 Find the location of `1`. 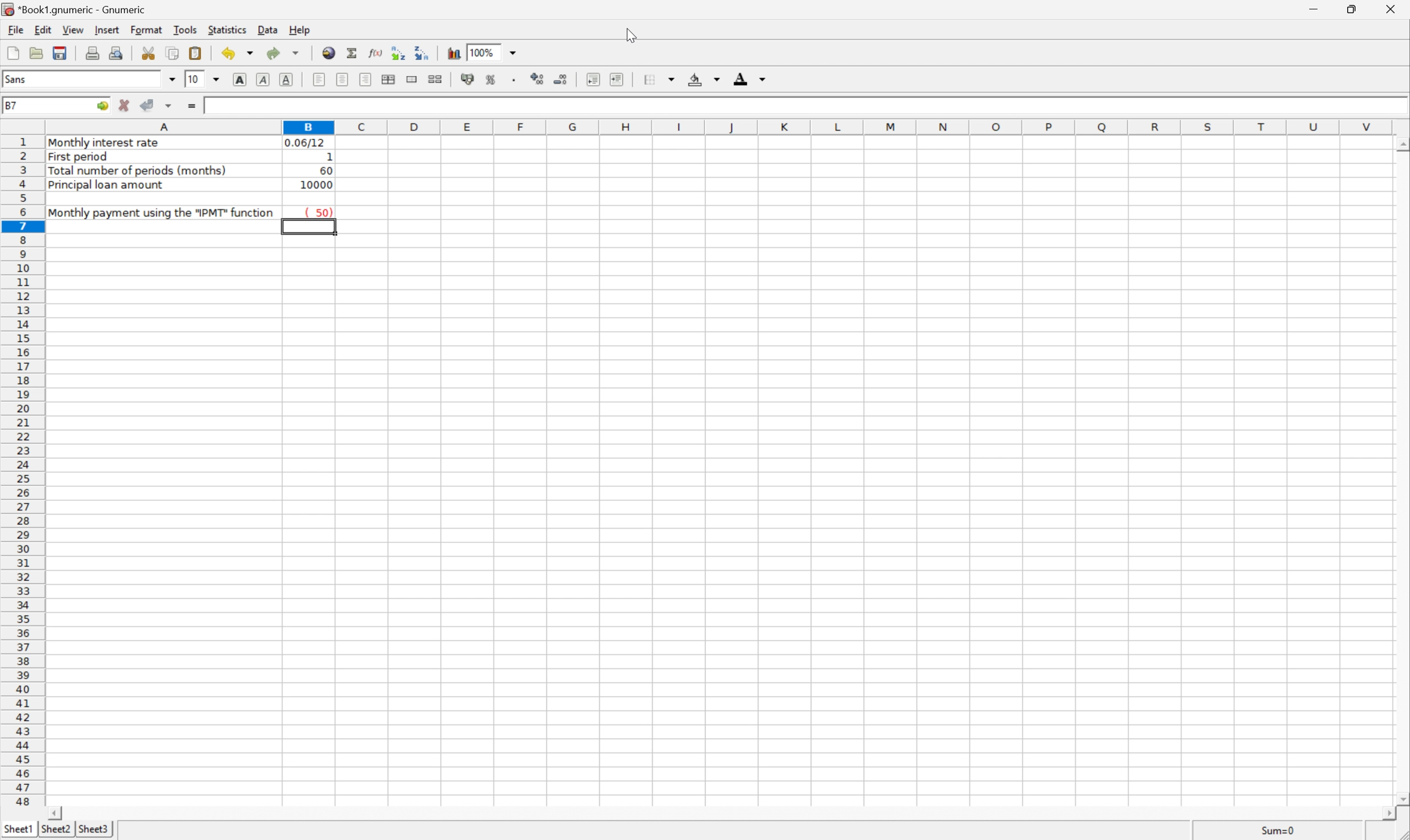

1 is located at coordinates (329, 156).